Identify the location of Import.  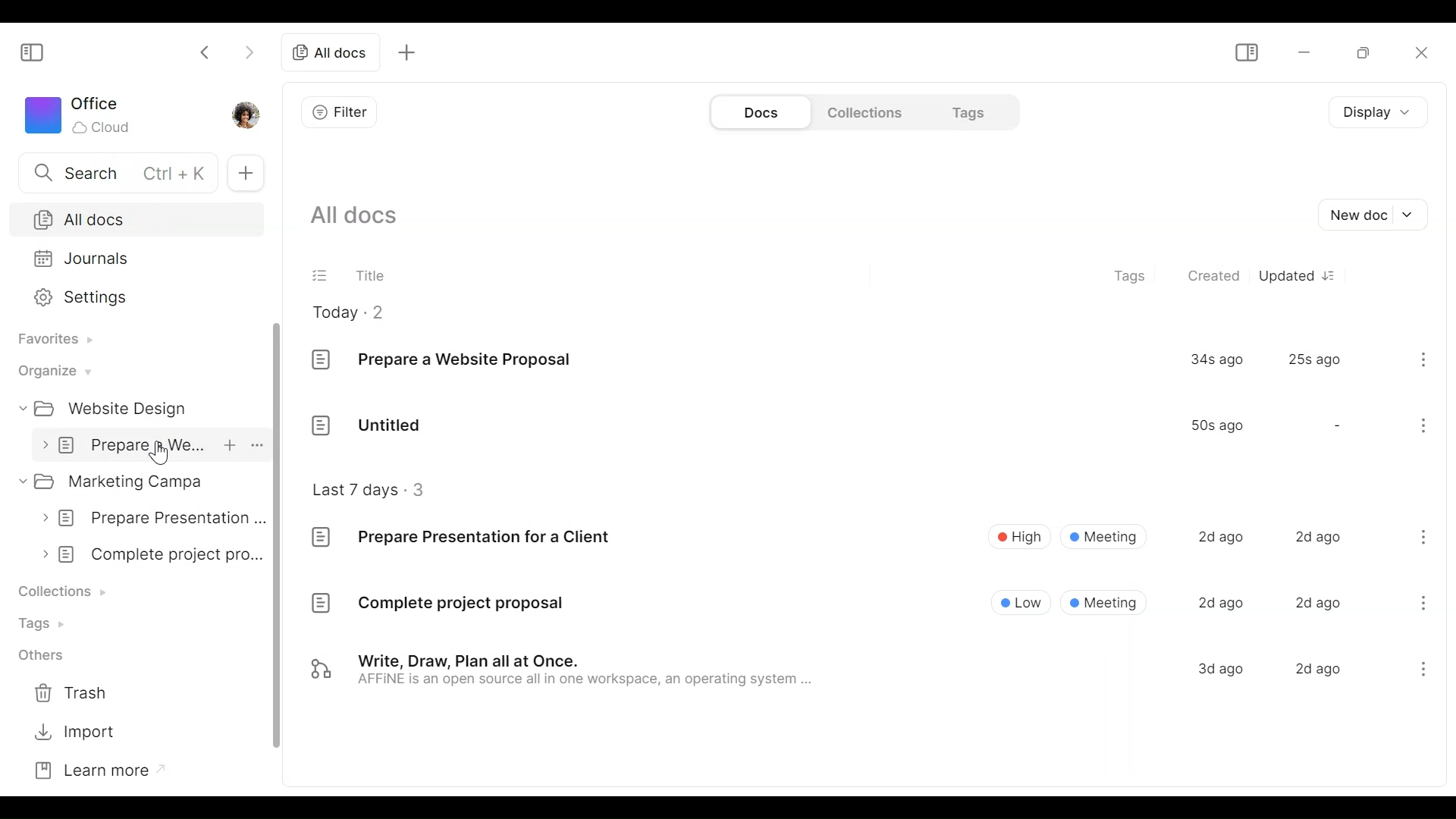
(71, 733).